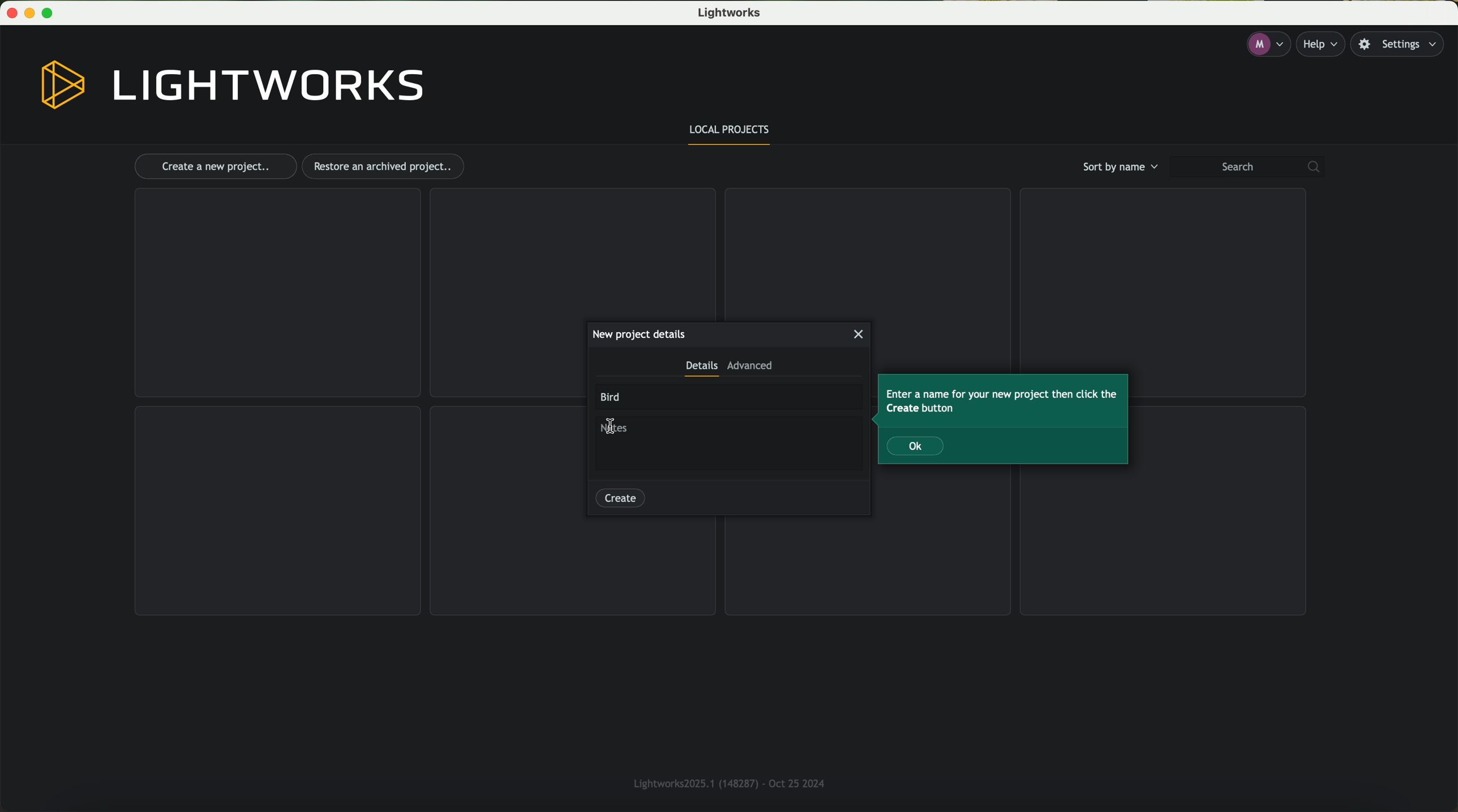 Image resolution: width=1458 pixels, height=812 pixels. I want to click on new project details, so click(638, 334).